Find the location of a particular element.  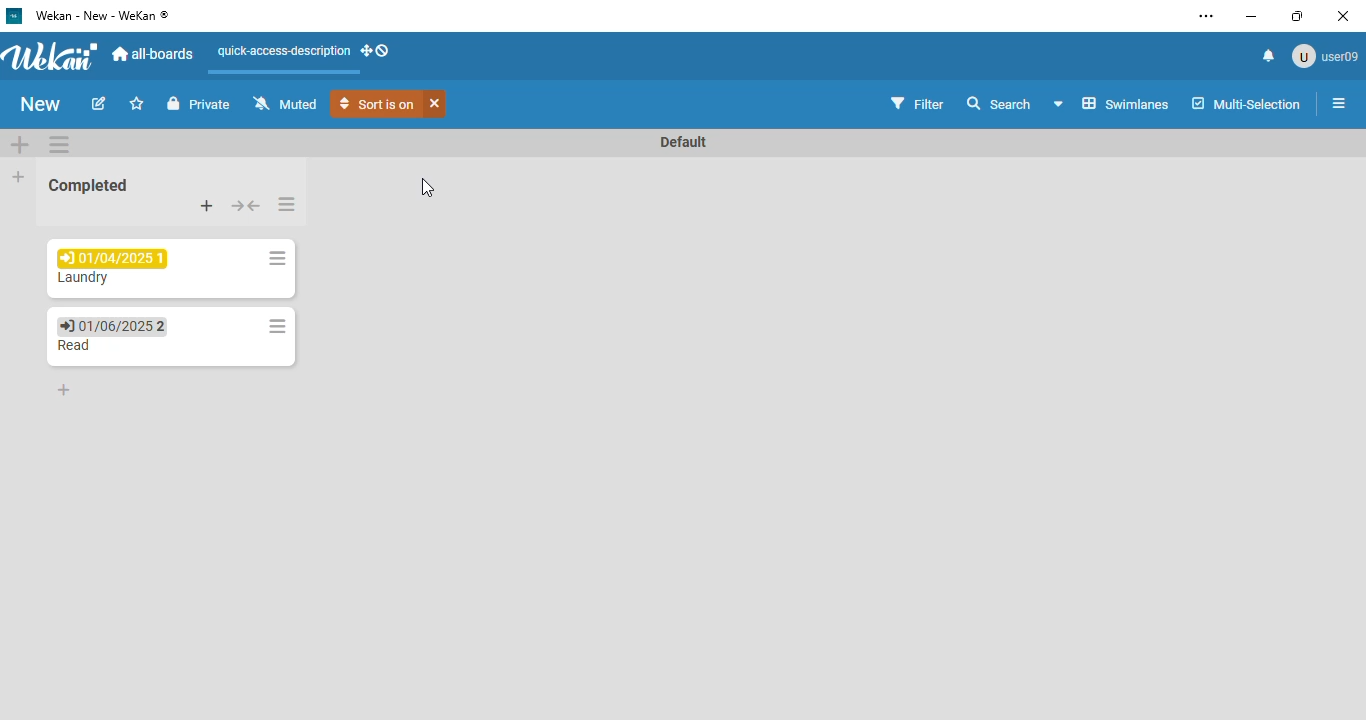

wekan - new - wekan is located at coordinates (101, 15).